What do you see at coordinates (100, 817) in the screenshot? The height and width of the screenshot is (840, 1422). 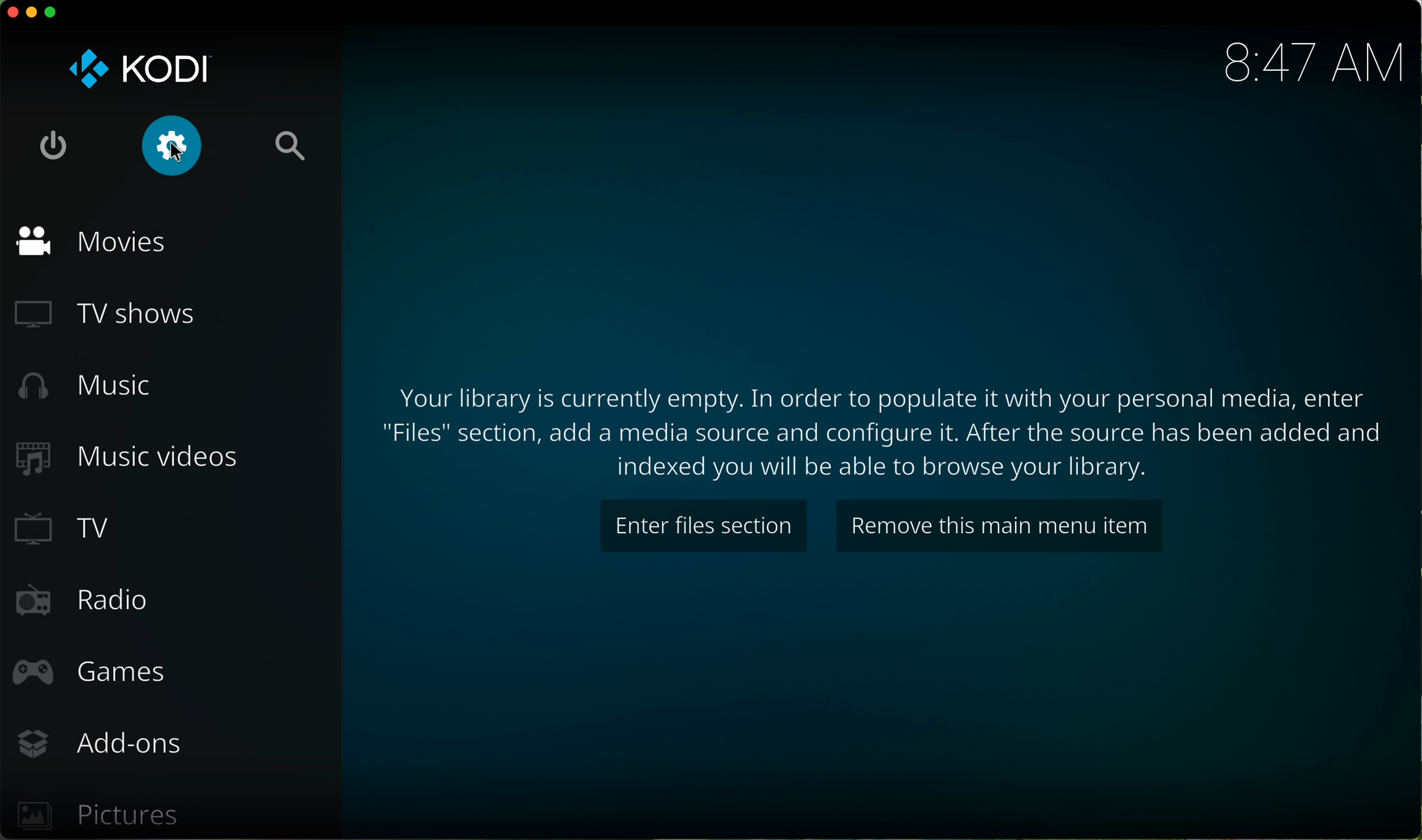 I see `pictures` at bounding box center [100, 817].